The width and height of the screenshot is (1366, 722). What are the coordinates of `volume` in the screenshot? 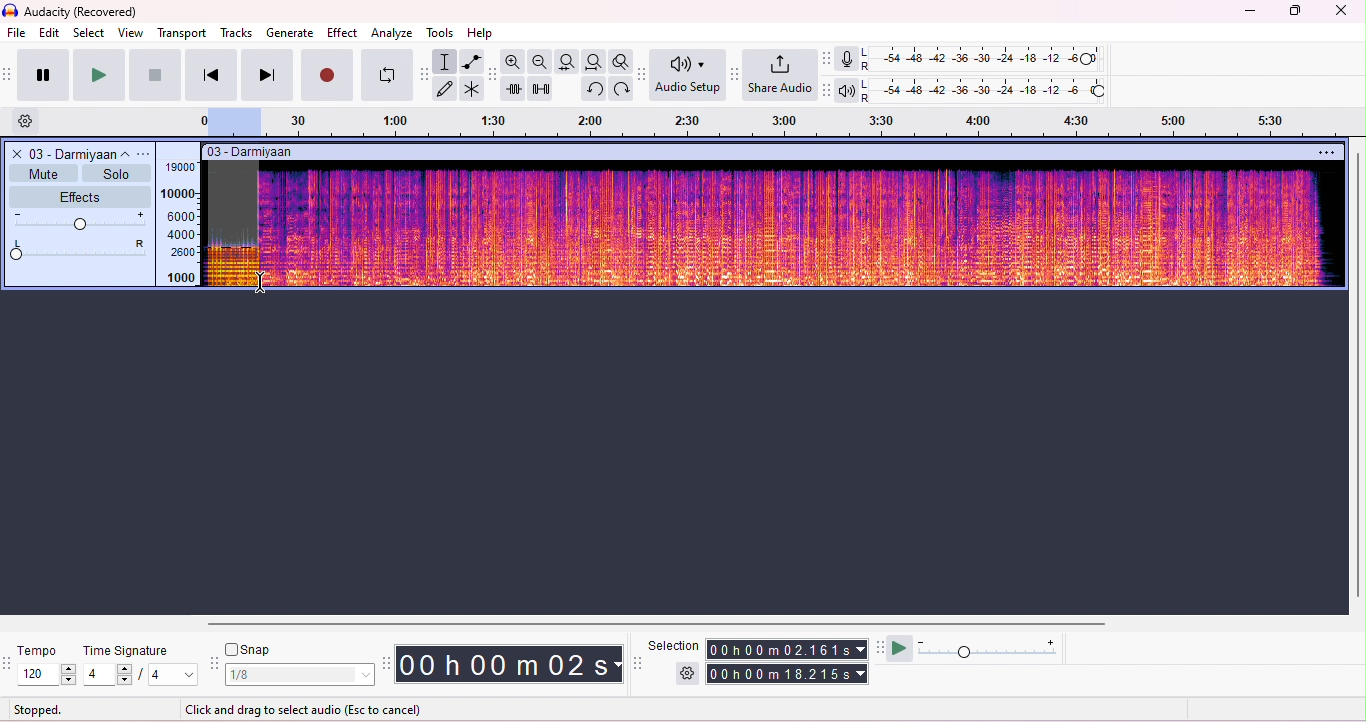 It's located at (81, 221).